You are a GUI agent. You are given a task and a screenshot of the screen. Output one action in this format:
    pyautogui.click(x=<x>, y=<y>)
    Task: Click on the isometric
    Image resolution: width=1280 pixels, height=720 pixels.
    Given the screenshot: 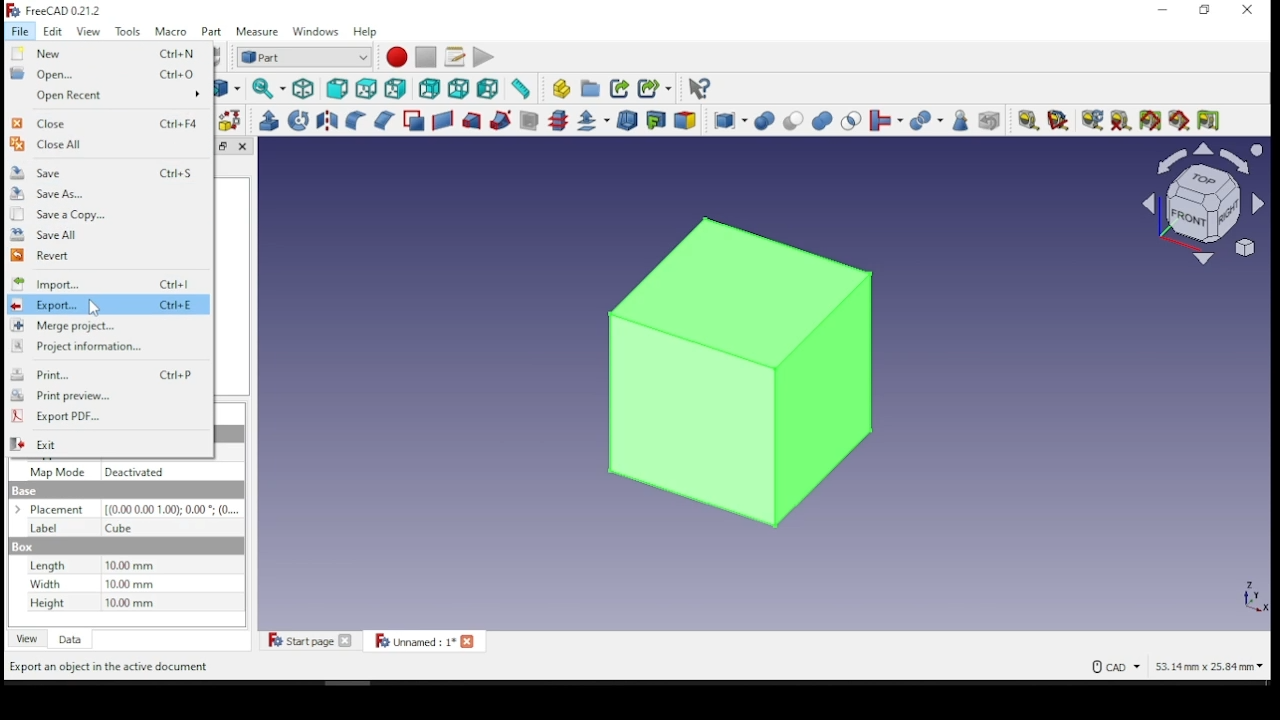 What is the action you would take?
    pyautogui.click(x=304, y=90)
    